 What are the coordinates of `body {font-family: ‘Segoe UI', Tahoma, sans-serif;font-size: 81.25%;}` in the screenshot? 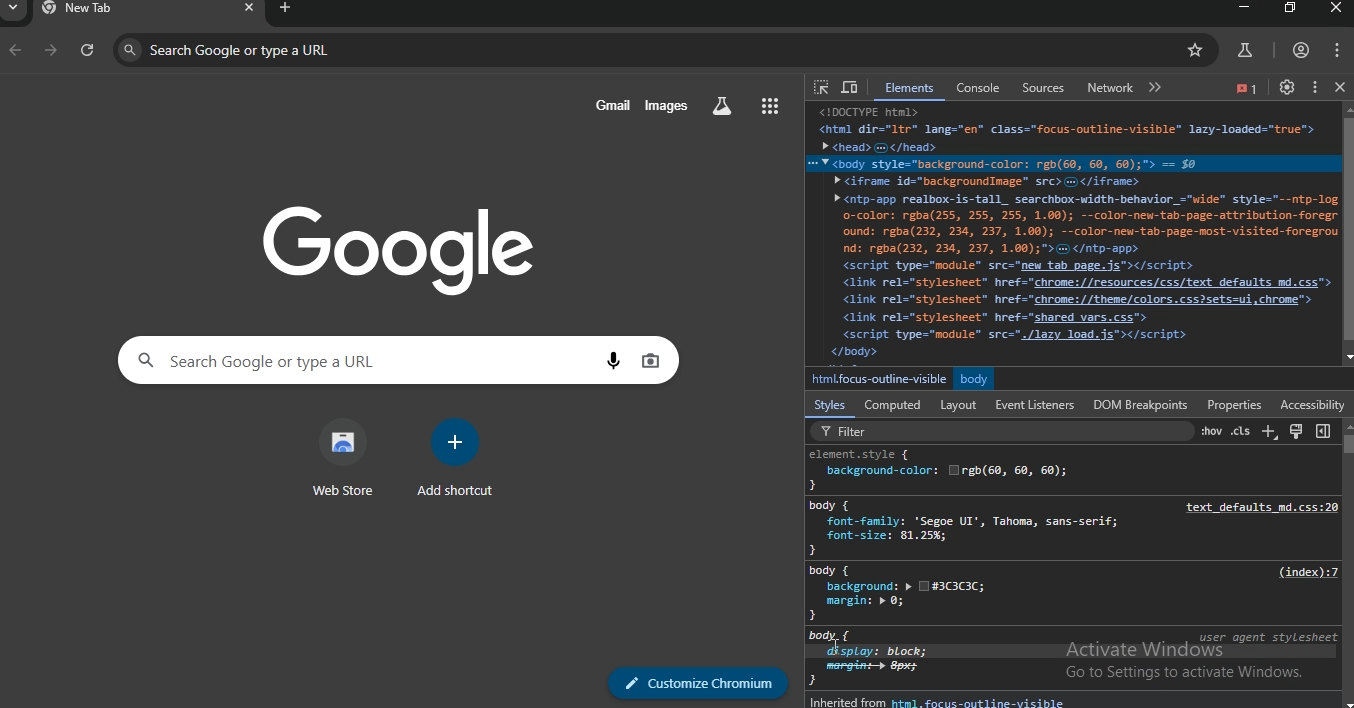 It's located at (971, 529).